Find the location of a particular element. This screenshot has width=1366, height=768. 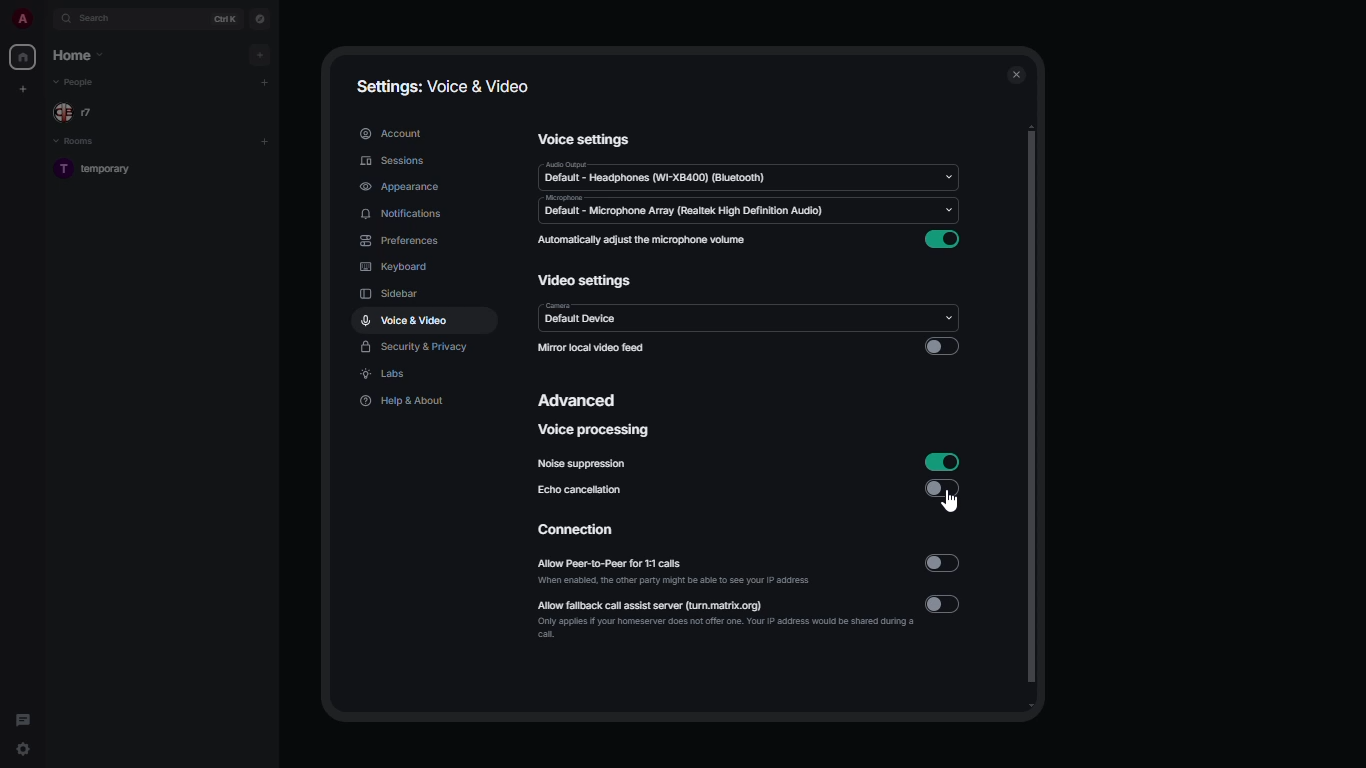

connection is located at coordinates (579, 532).